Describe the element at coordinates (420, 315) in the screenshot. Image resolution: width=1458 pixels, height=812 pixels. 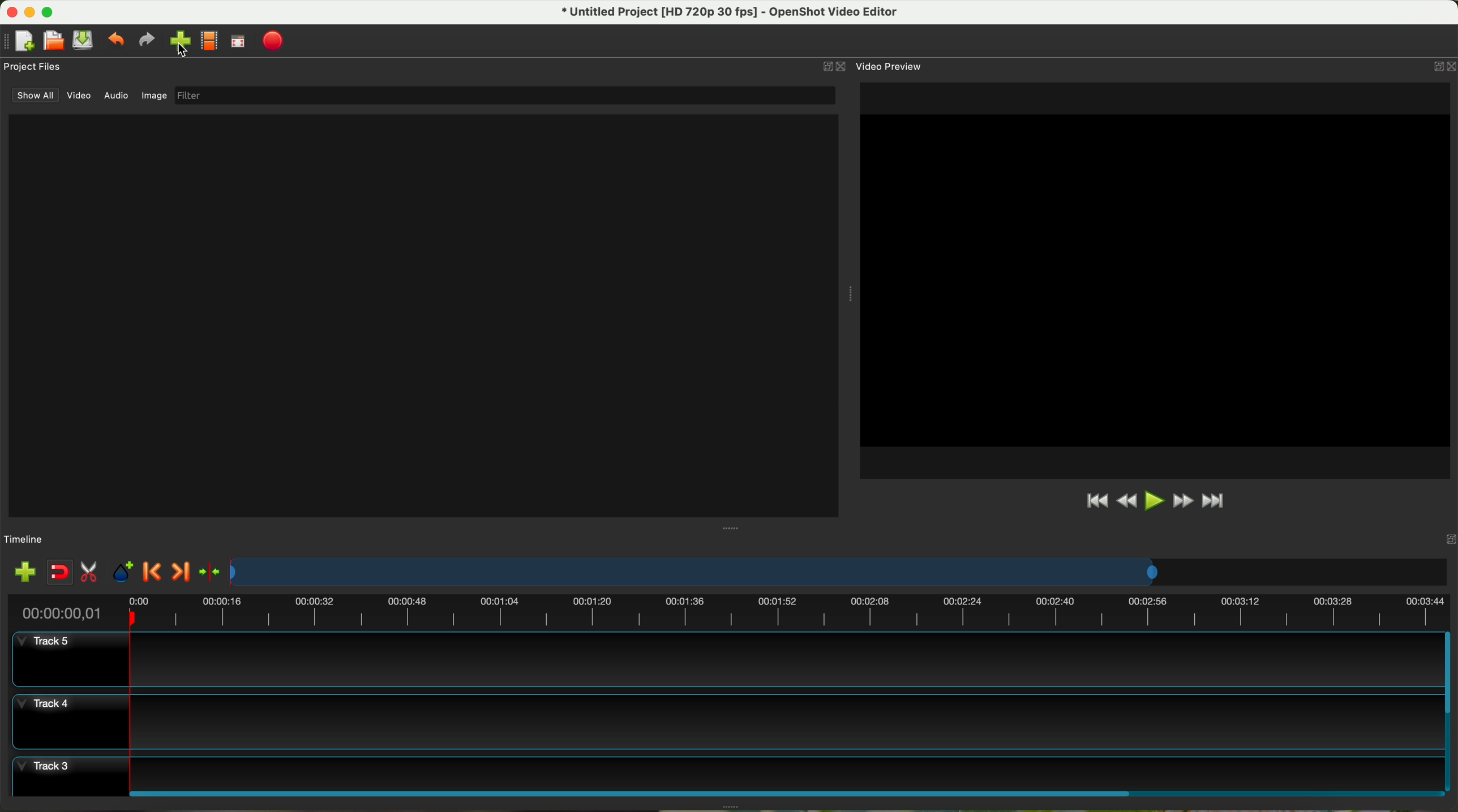
I see `window files` at that location.